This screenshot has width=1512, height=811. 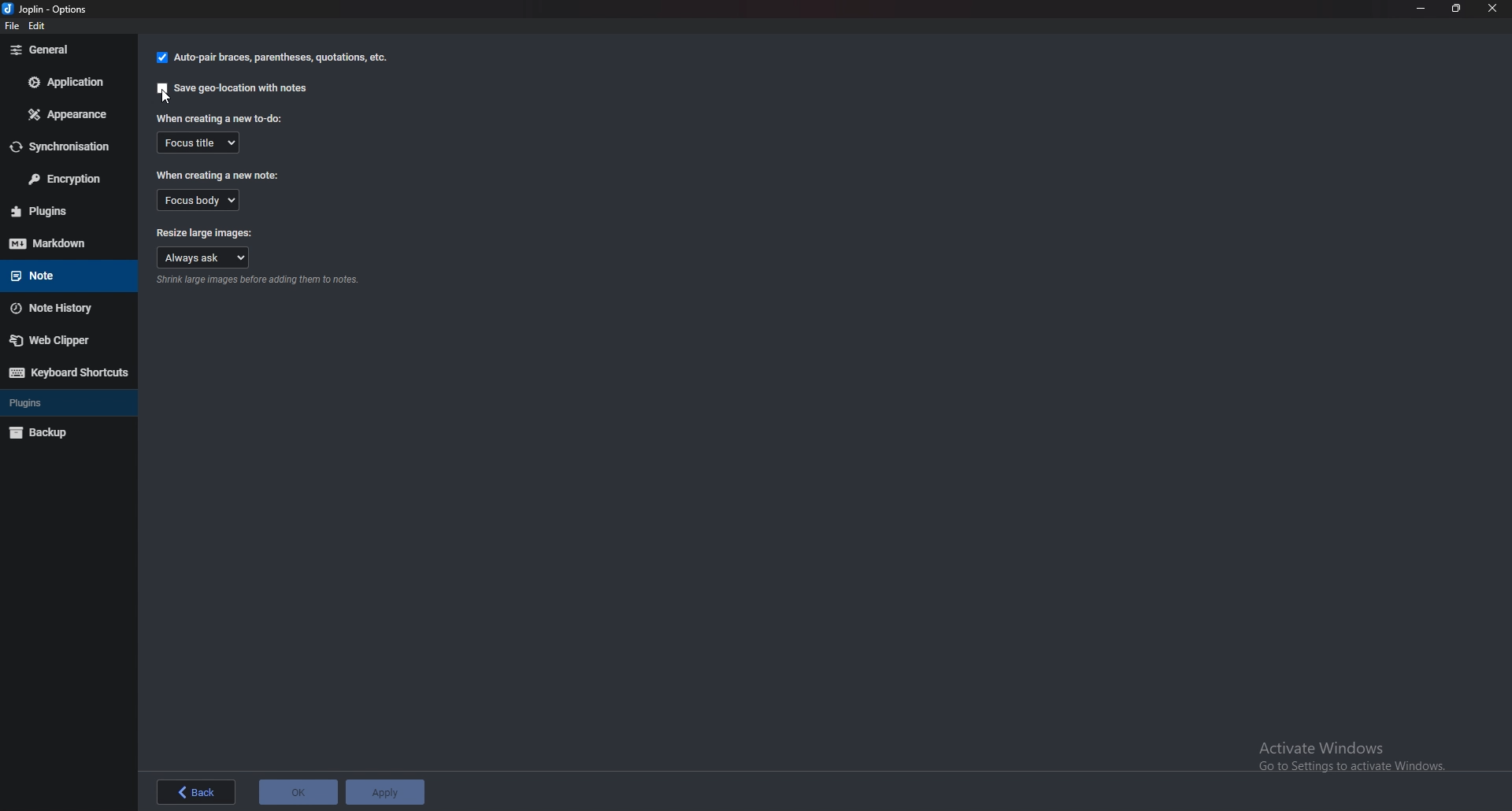 What do you see at coordinates (61, 50) in the screenshot?
I see `General` at bounding box center [61, 50].